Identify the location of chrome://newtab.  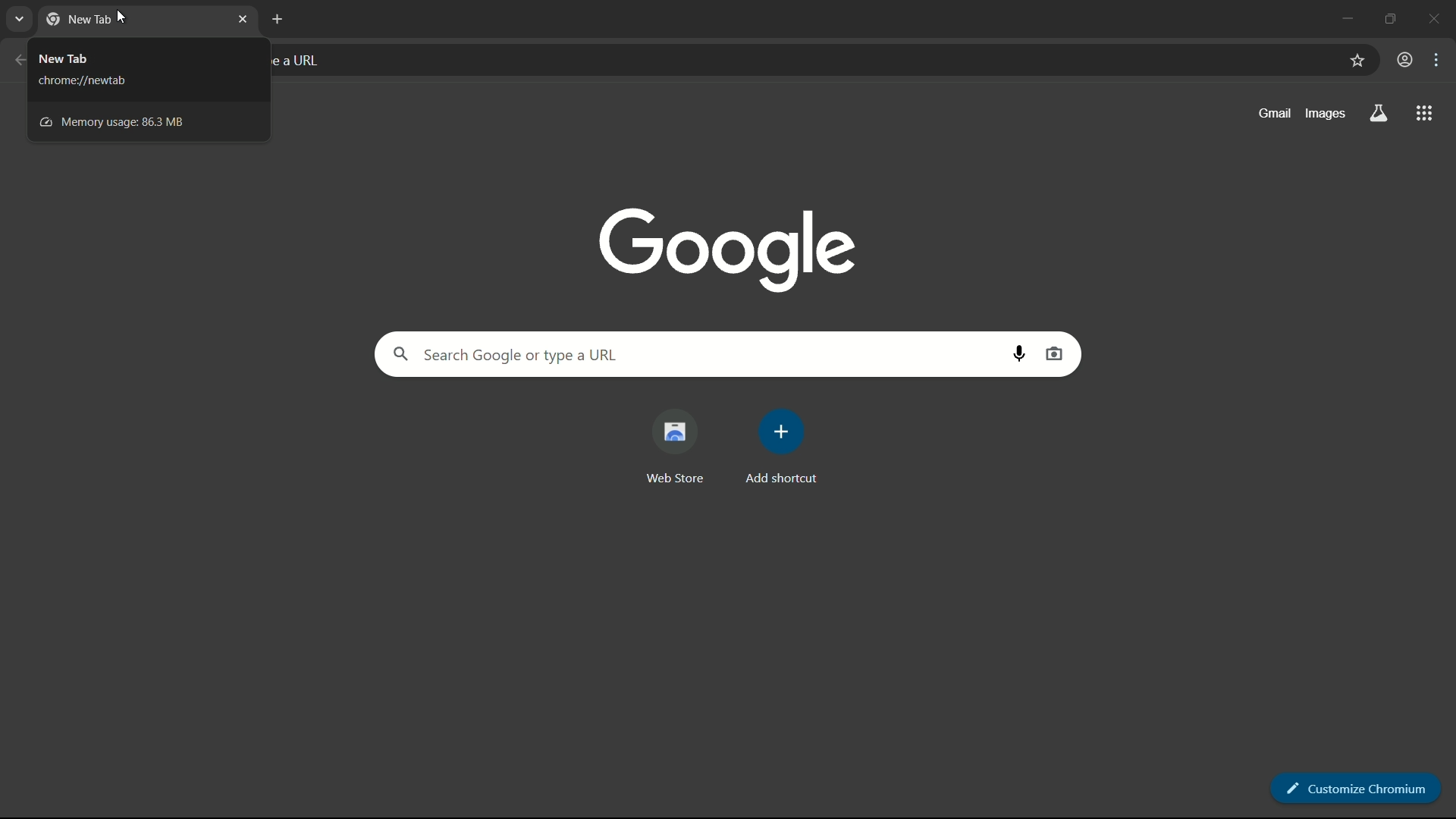
(91, 81).